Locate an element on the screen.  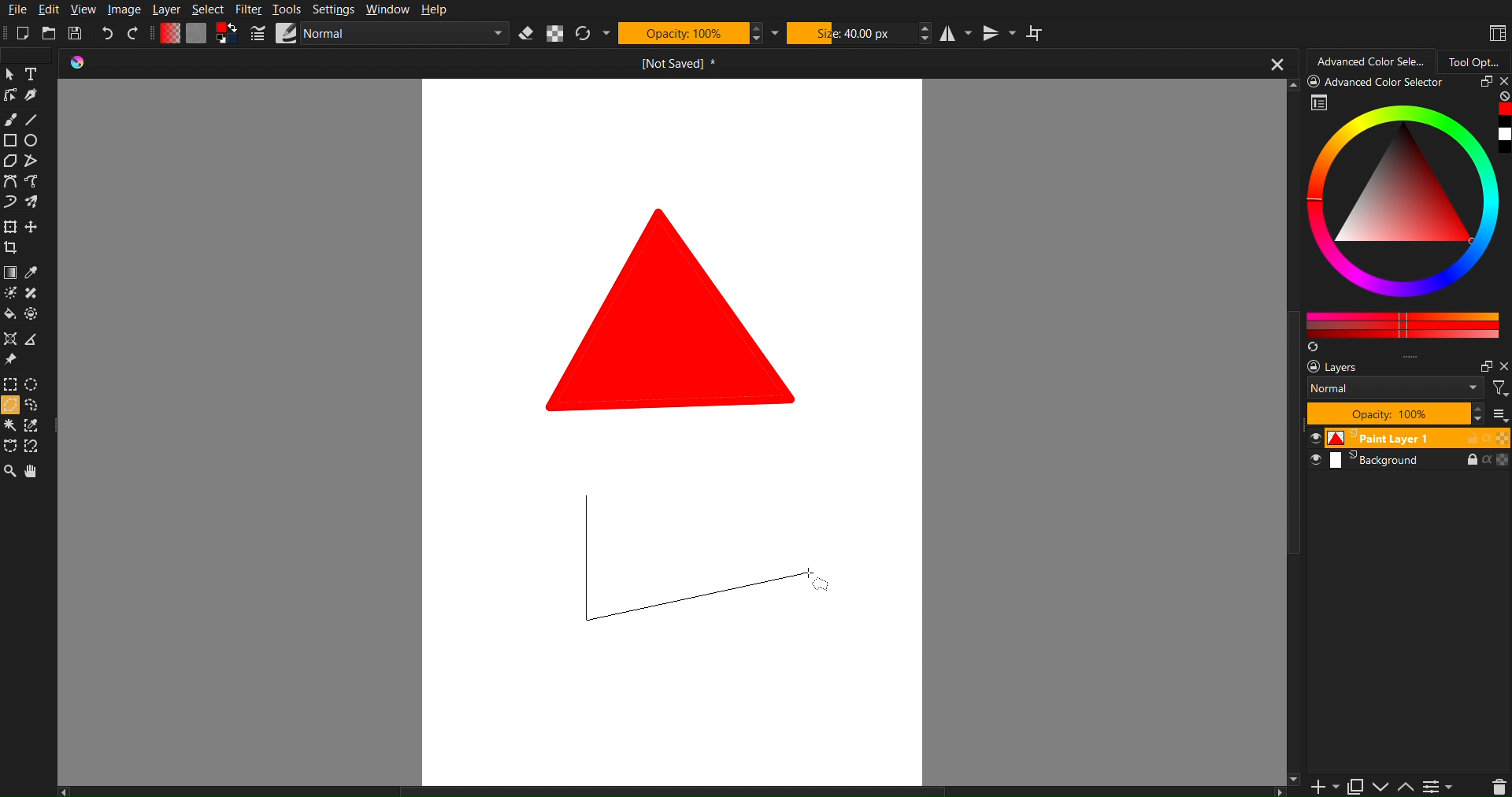
dotted is located at coordinates (34, 315).